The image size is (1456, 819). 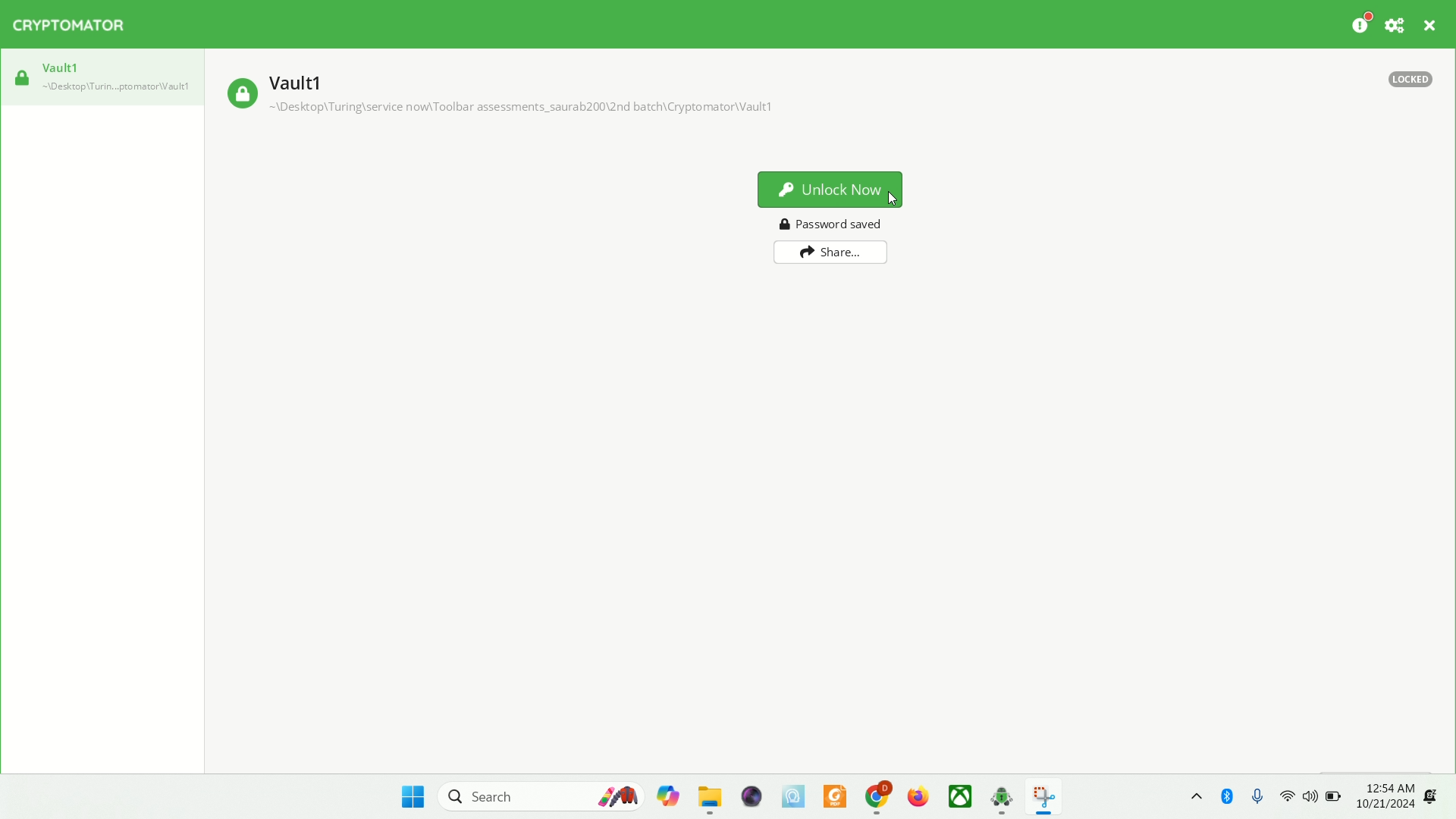 I want to click on folder, so click(x=711, y=798).